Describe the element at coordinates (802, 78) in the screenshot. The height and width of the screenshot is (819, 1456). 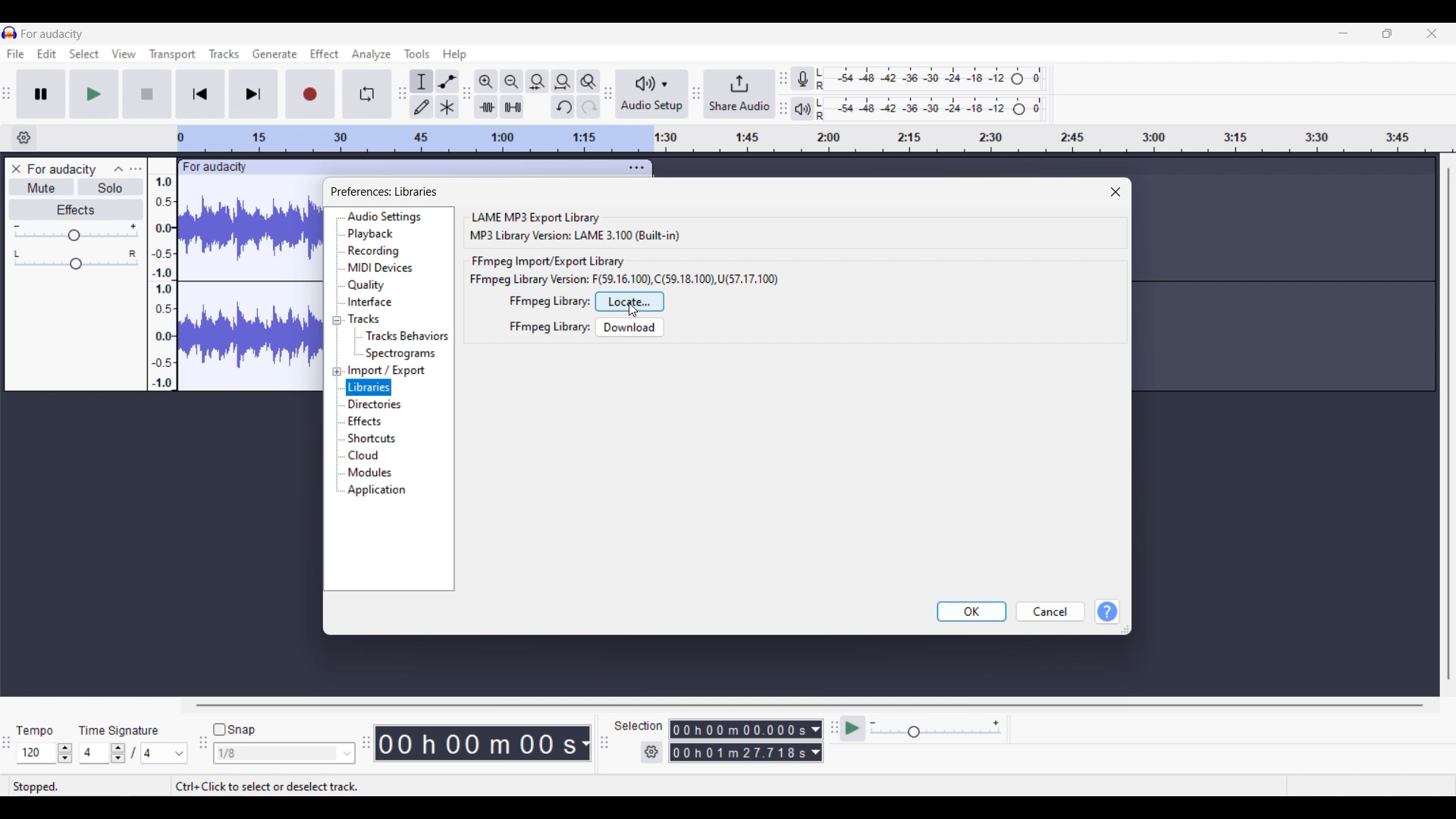
I see `Record meter` at that location.